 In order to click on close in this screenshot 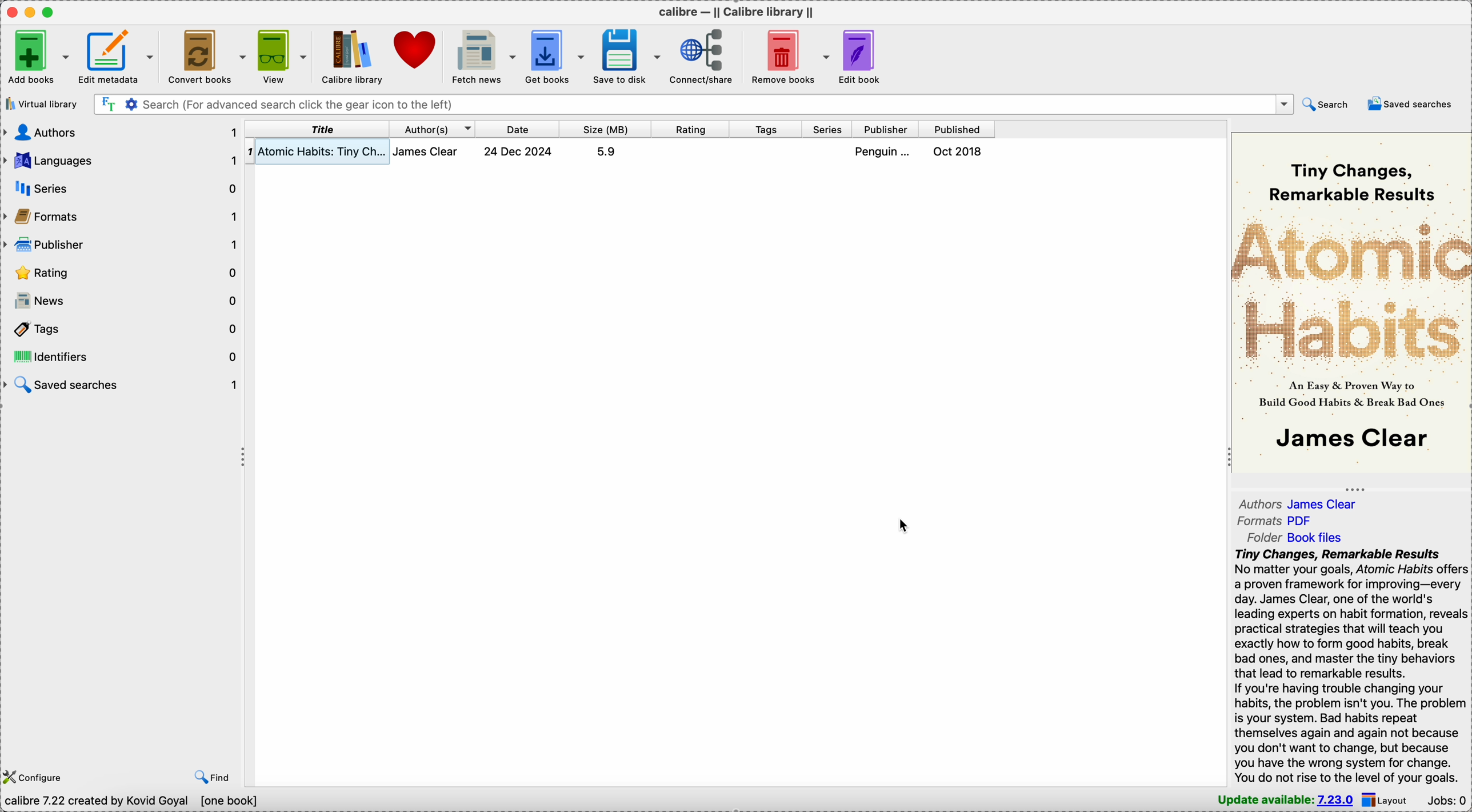, I will do `click(11, 11)`.